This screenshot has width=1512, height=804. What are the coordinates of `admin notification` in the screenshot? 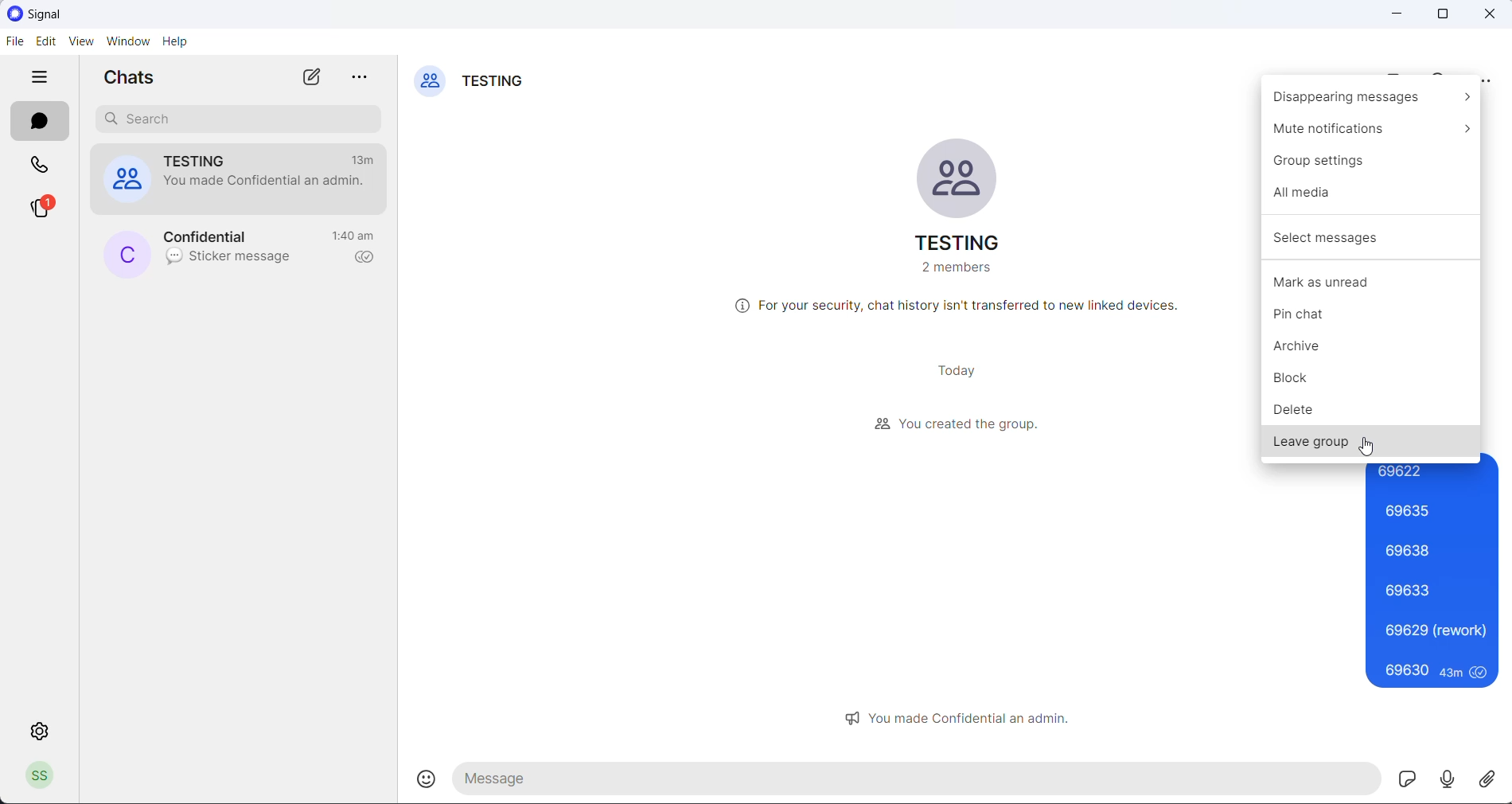 It's located at (966, 716).